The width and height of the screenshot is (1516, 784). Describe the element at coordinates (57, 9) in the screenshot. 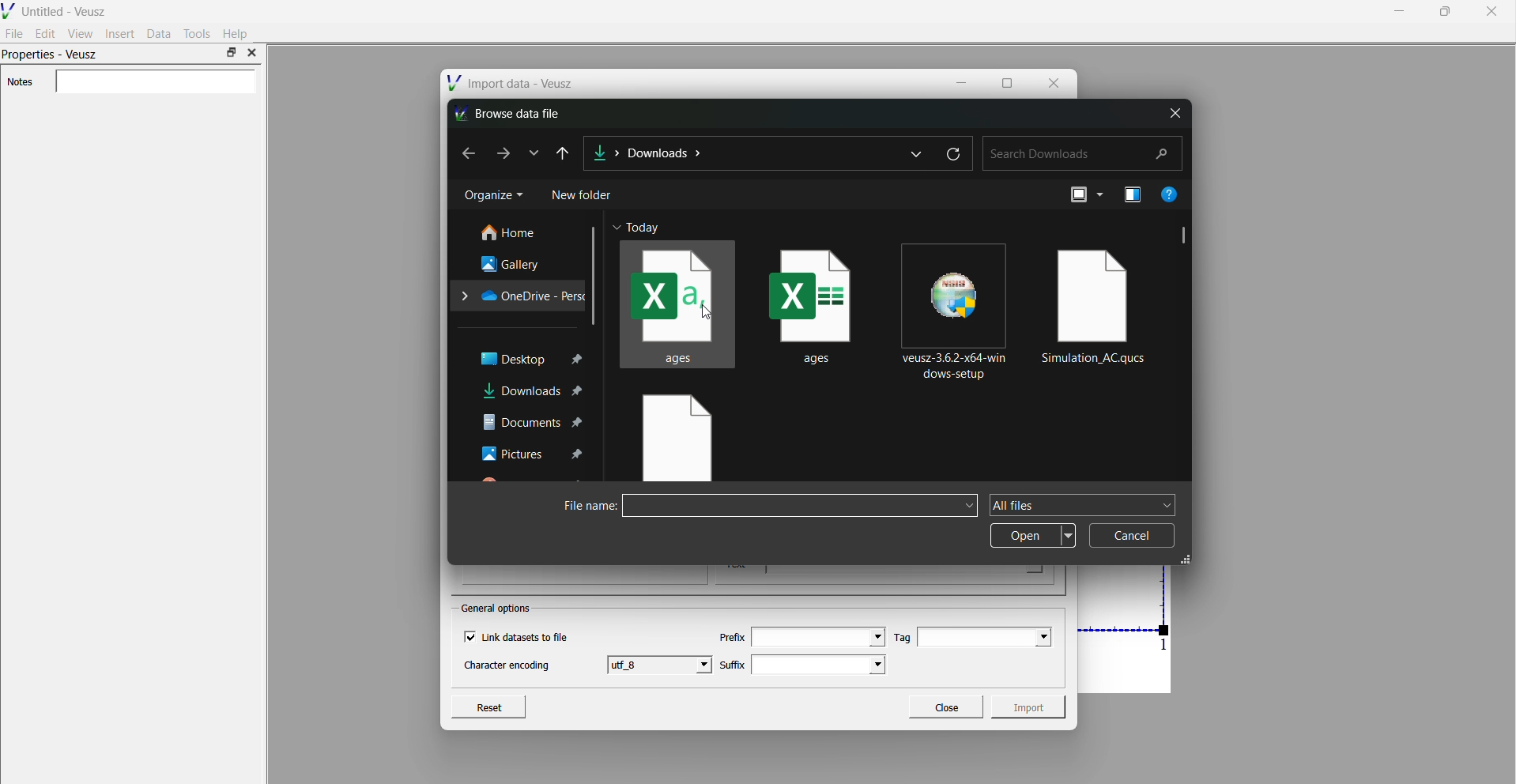

I see `Untitled - Veusz` at that location.